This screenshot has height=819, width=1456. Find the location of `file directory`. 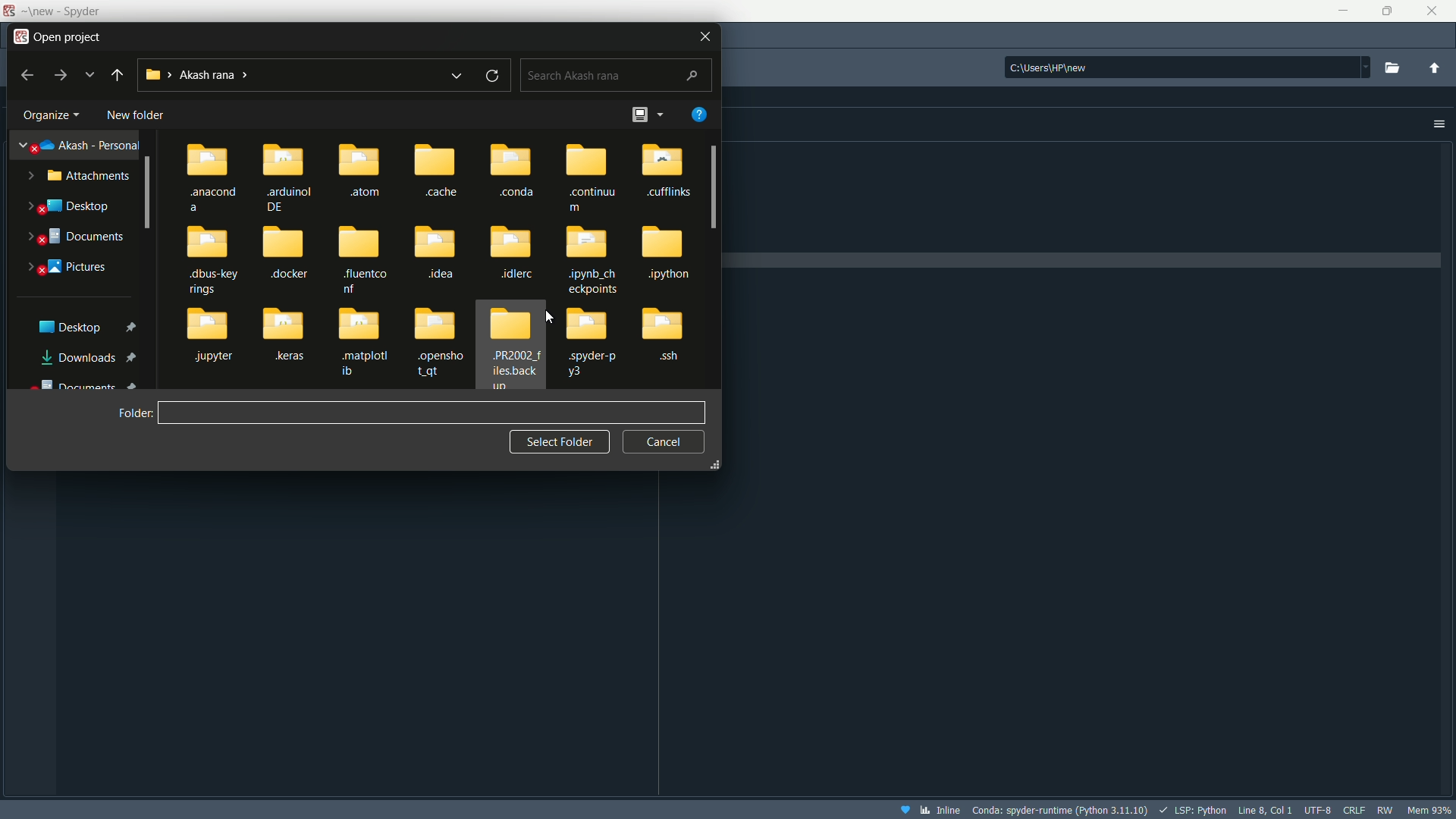

file directory is located at coordinates (1187, 64).